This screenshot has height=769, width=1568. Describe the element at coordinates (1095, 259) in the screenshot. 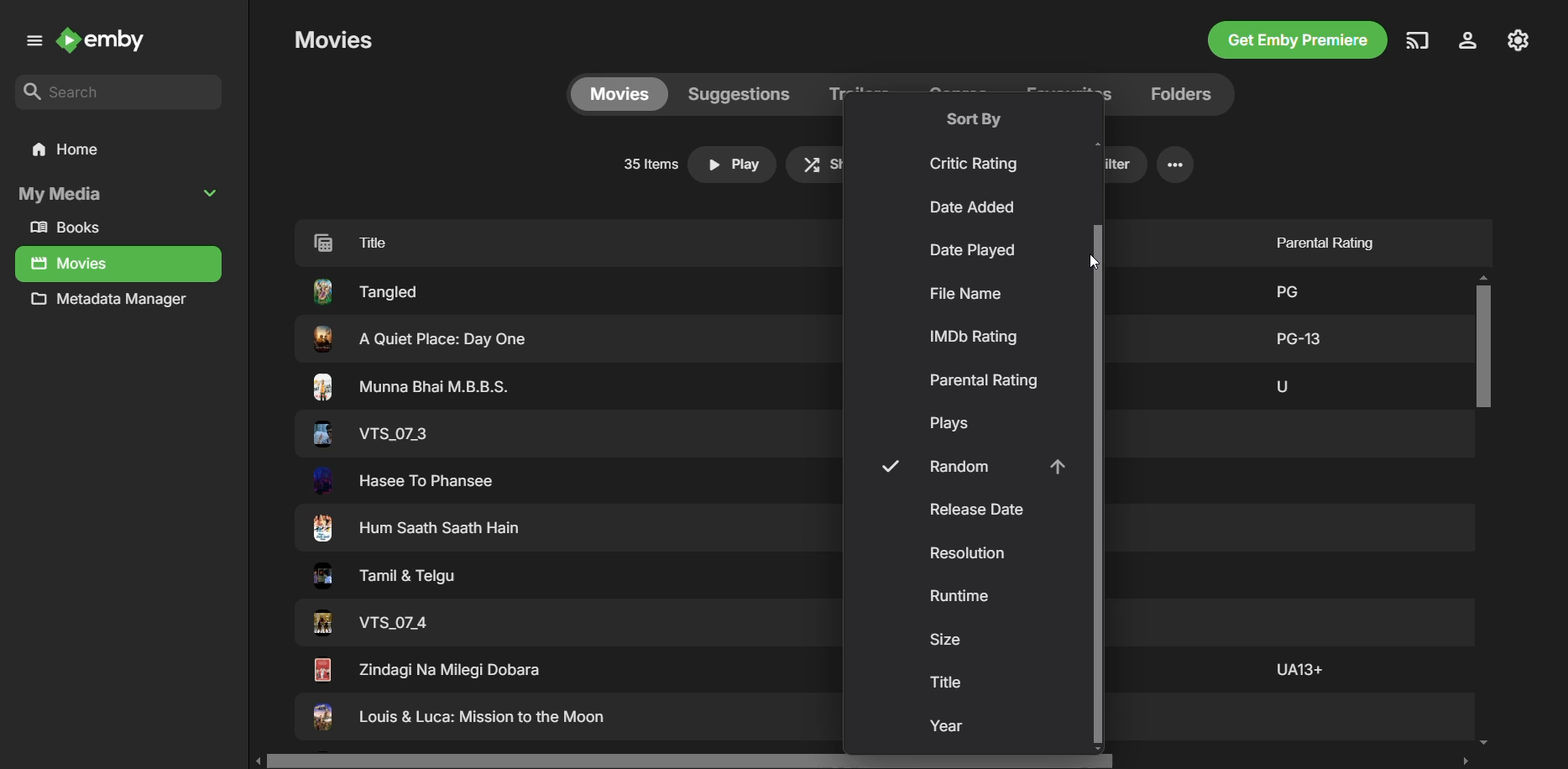

I see `cursor` at that location.